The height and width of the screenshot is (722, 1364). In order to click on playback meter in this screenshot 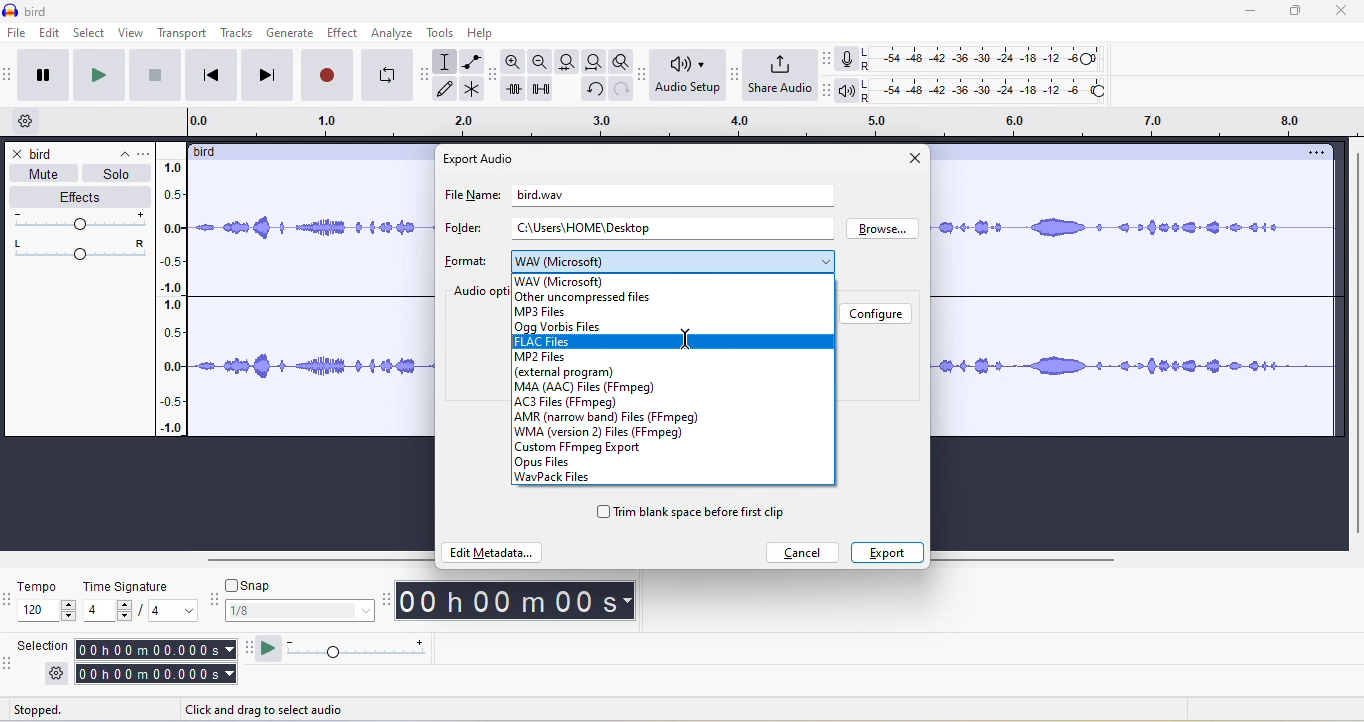, I will do `click(847, 92)`.